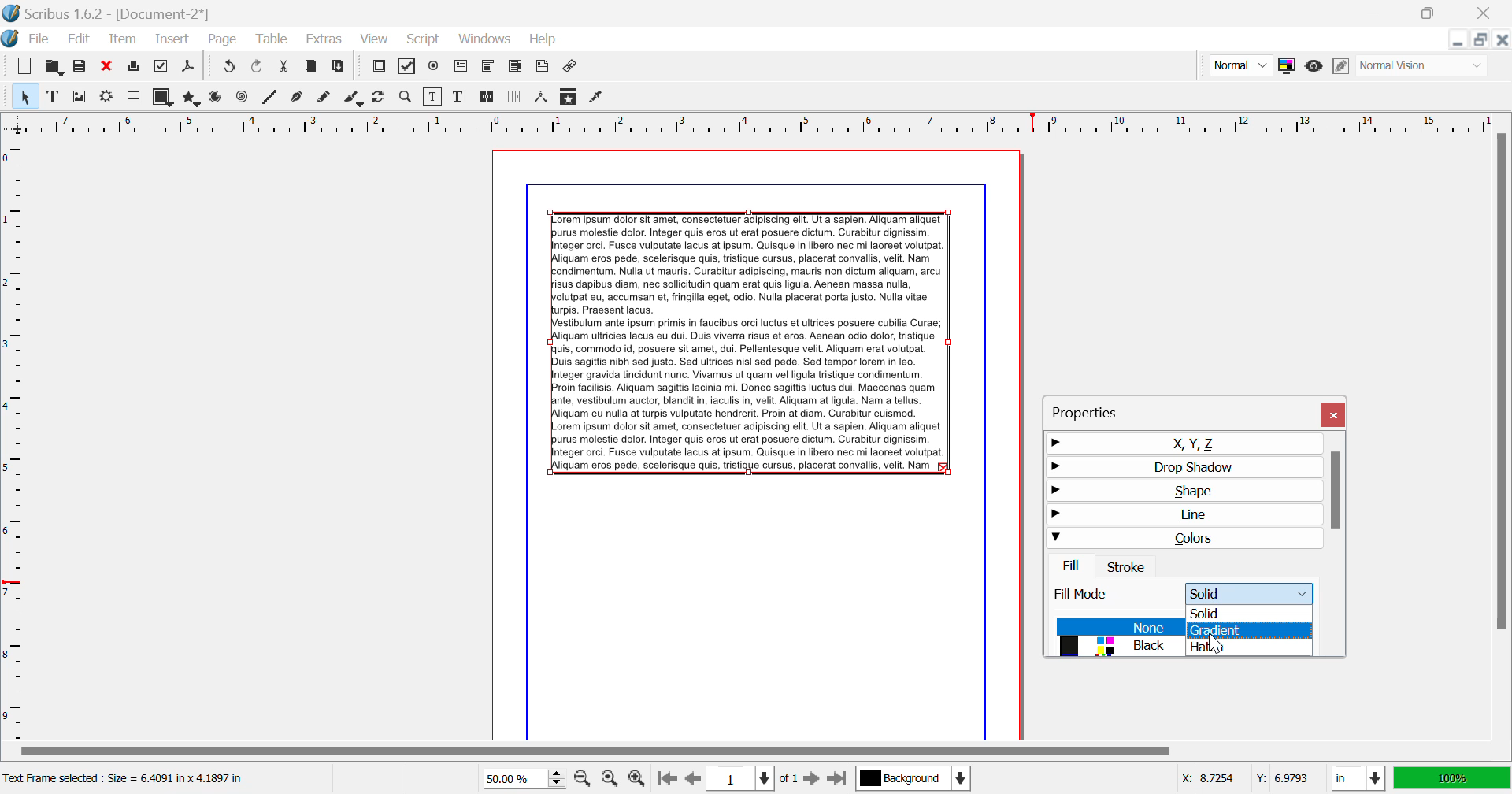 The image size is (1512, 794). What do you see at coordinates (460, 97) in the screenshot?
I see `Edit Text with Story Editor` at bounding box center [460, 97].